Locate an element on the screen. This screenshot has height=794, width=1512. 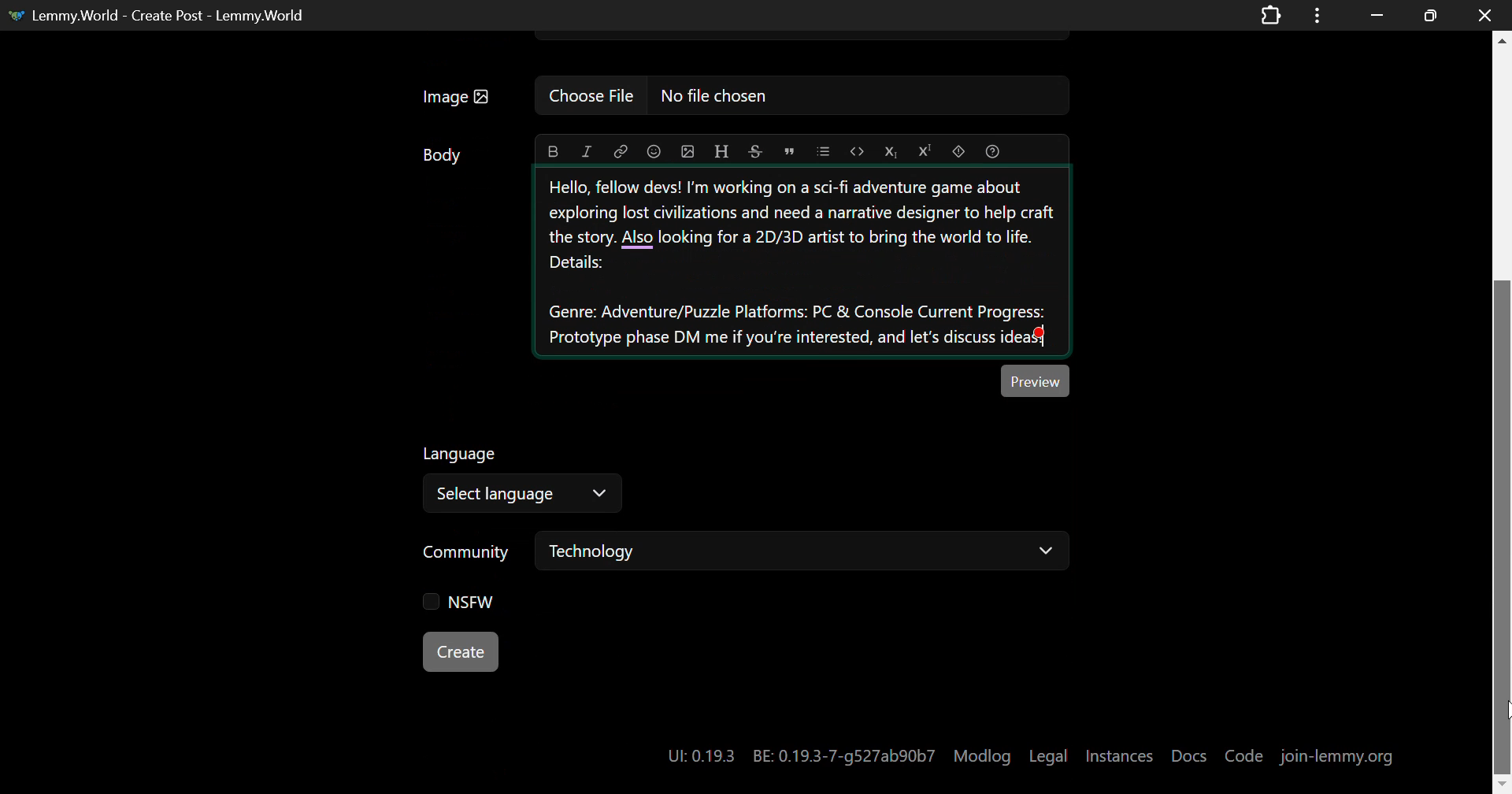
Community is located at coordinates (469, 554).